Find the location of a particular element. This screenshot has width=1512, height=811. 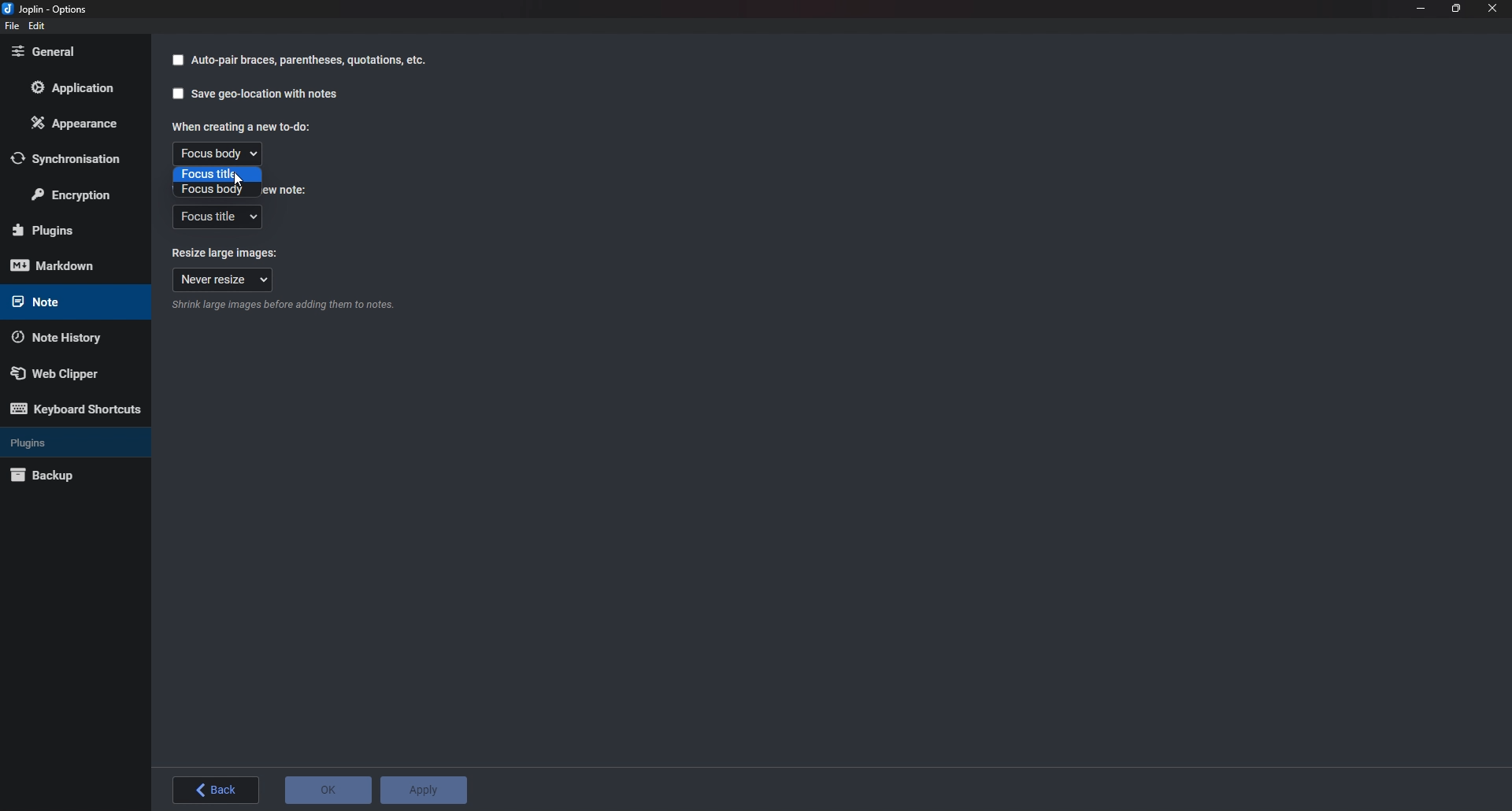

Never resize is located at coordinates (224, 280).